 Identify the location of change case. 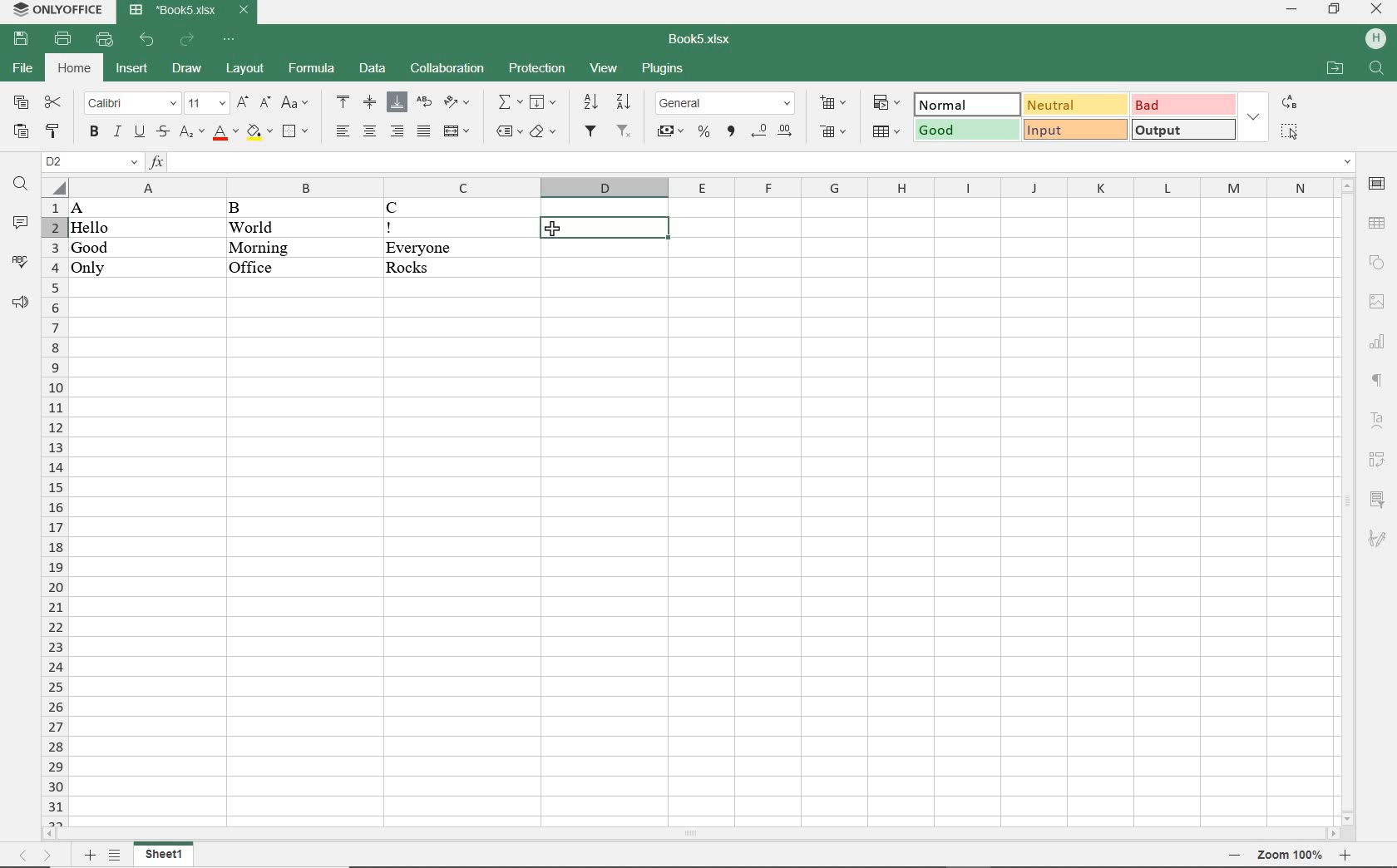
(294, 104).